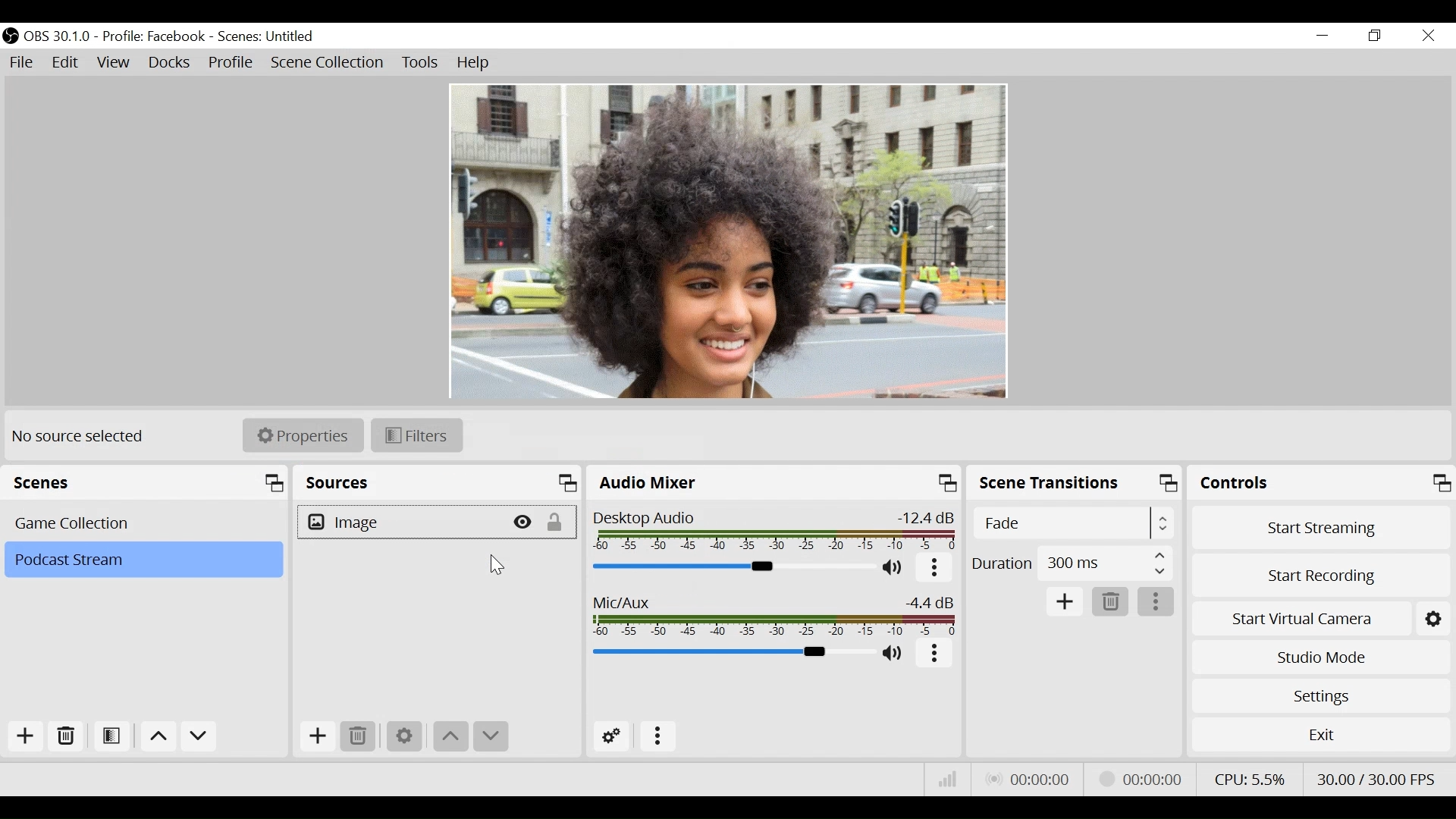  I want to click on Scene, so click(271, 36).